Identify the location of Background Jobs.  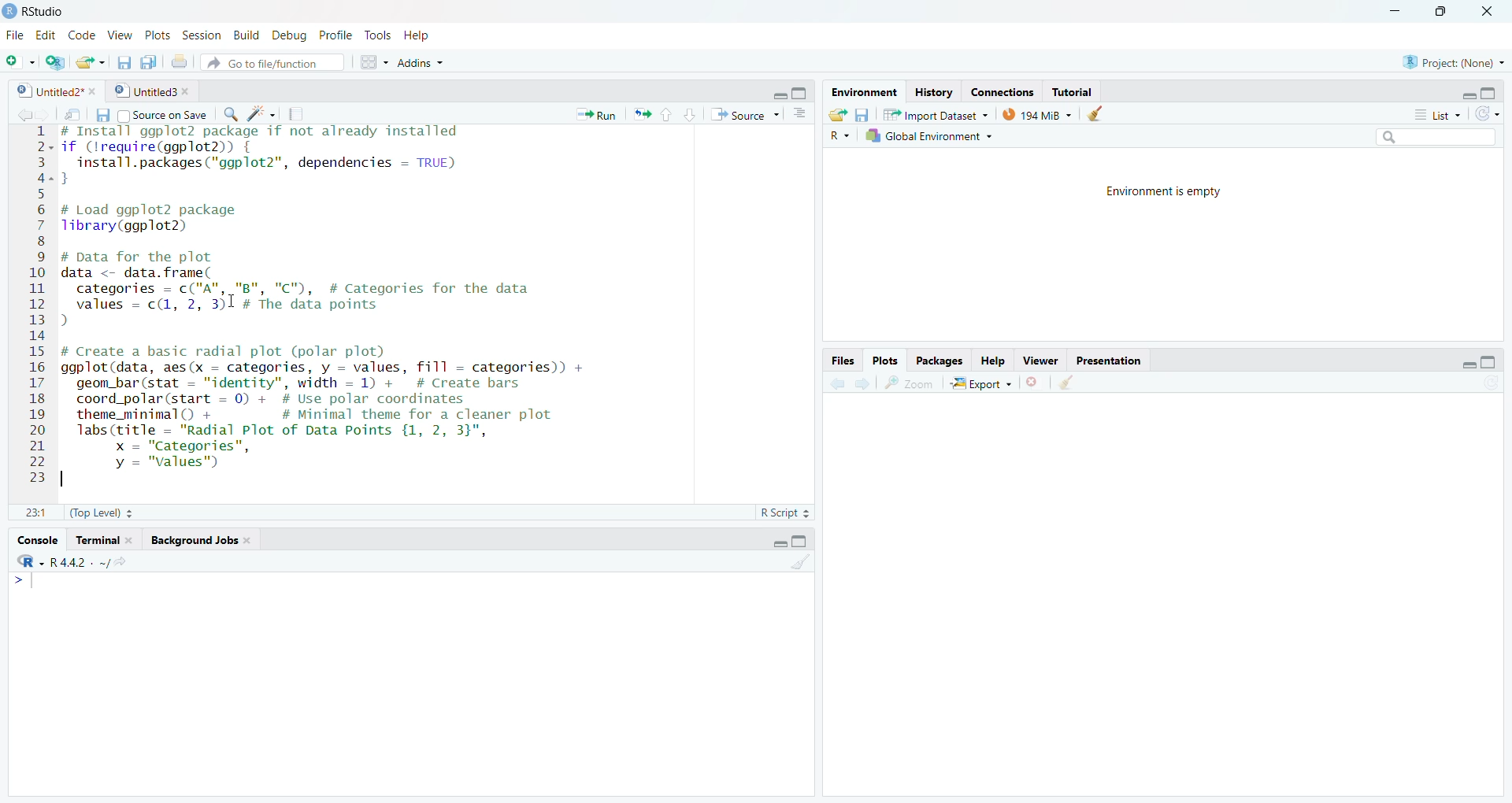
(203, 542).